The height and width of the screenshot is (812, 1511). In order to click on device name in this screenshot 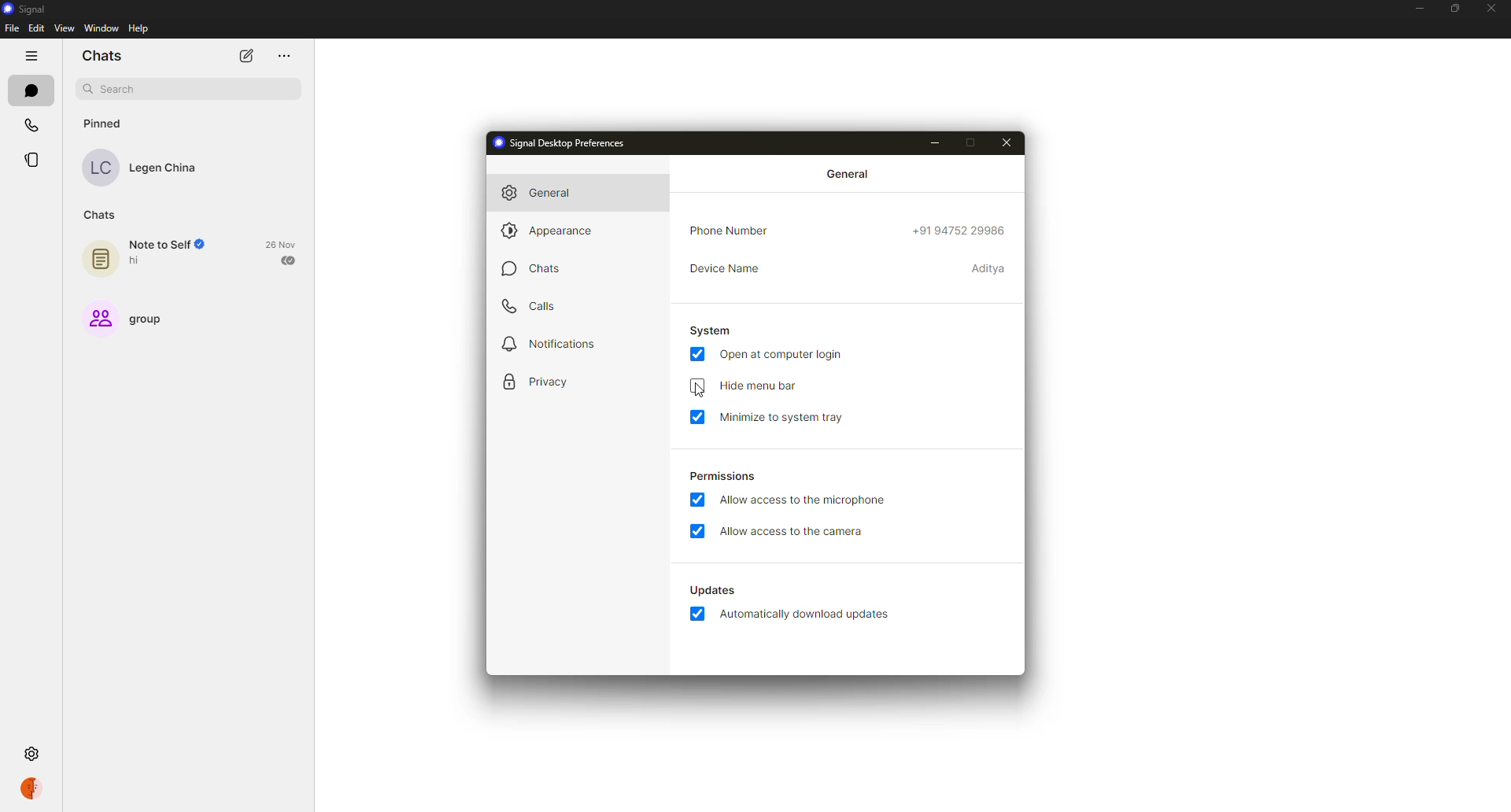, I will do `click(724, 268)`.